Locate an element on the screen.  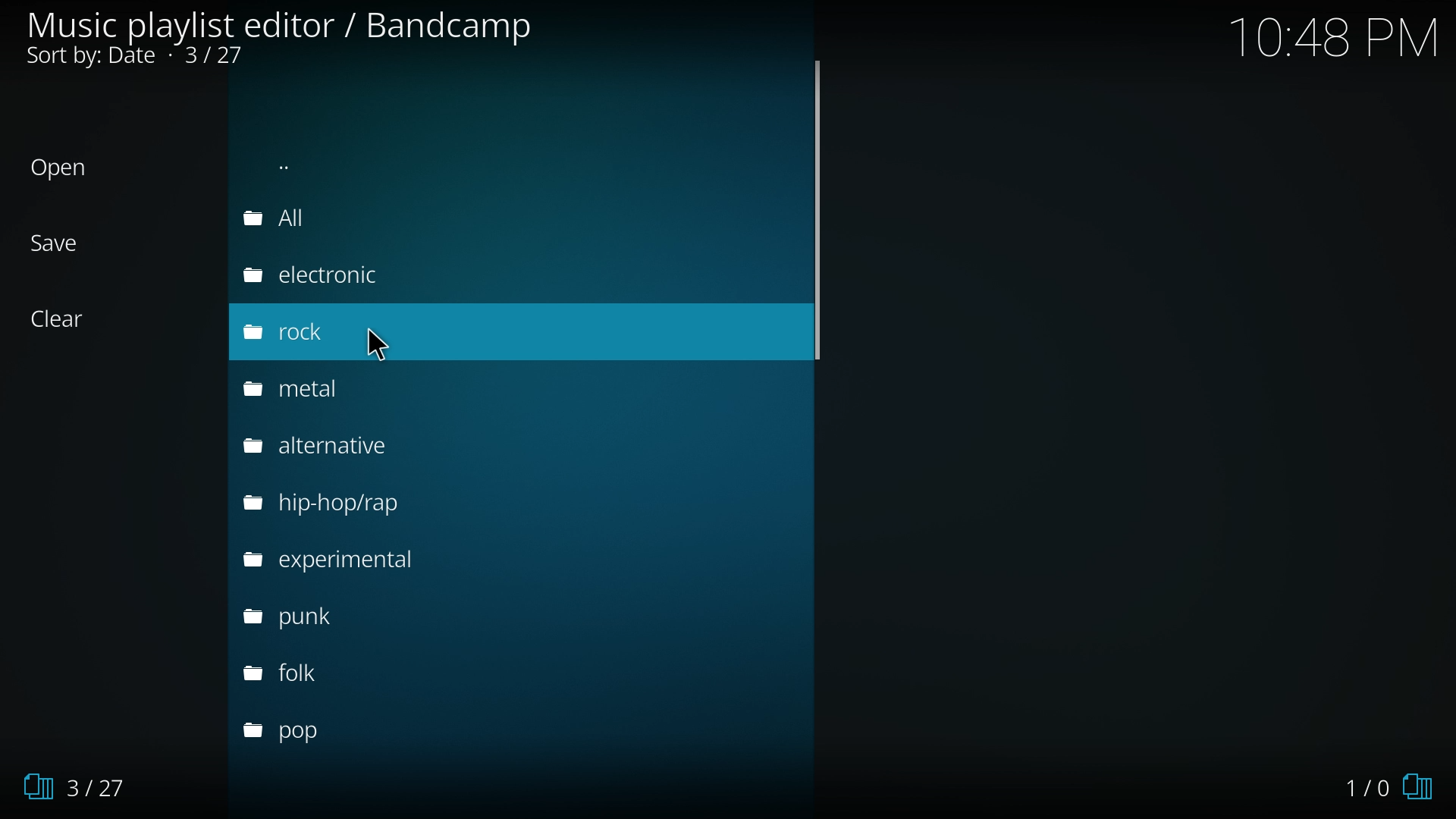
punk is located at coordinates (314, 621).